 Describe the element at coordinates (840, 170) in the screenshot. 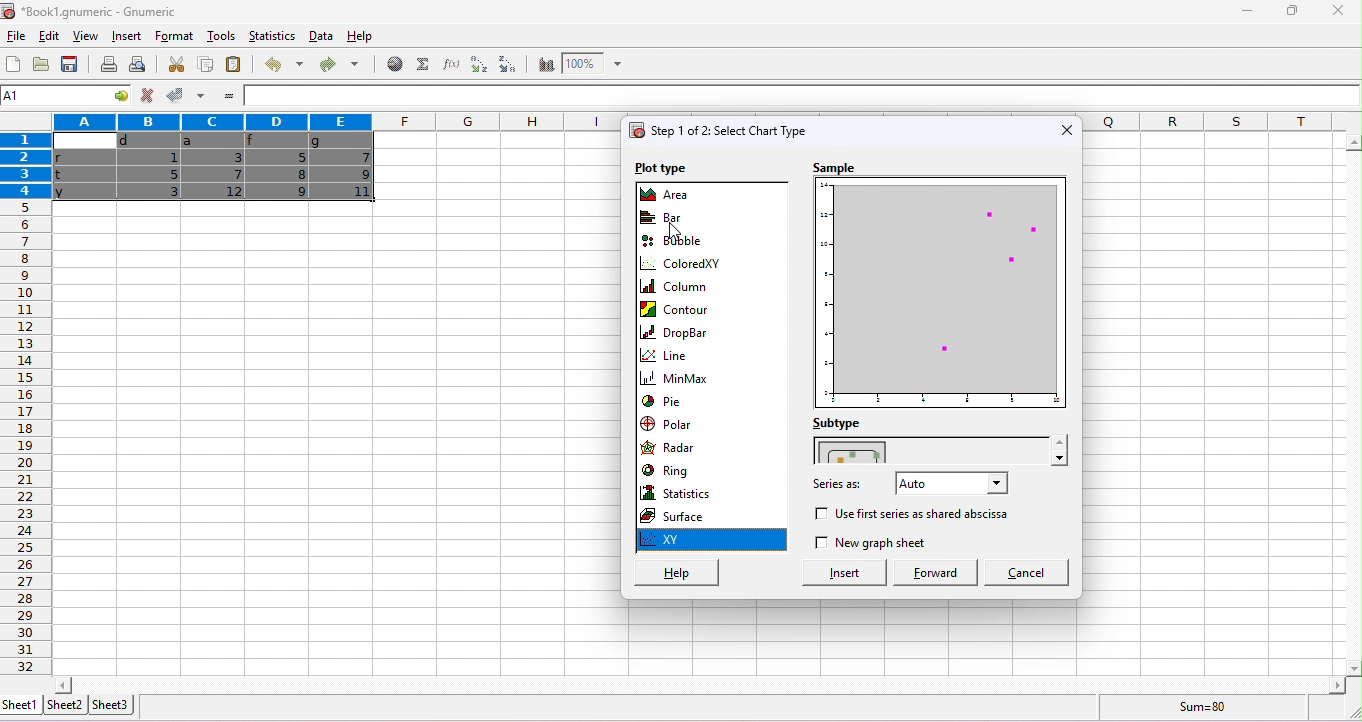

I see `sample` at that location.